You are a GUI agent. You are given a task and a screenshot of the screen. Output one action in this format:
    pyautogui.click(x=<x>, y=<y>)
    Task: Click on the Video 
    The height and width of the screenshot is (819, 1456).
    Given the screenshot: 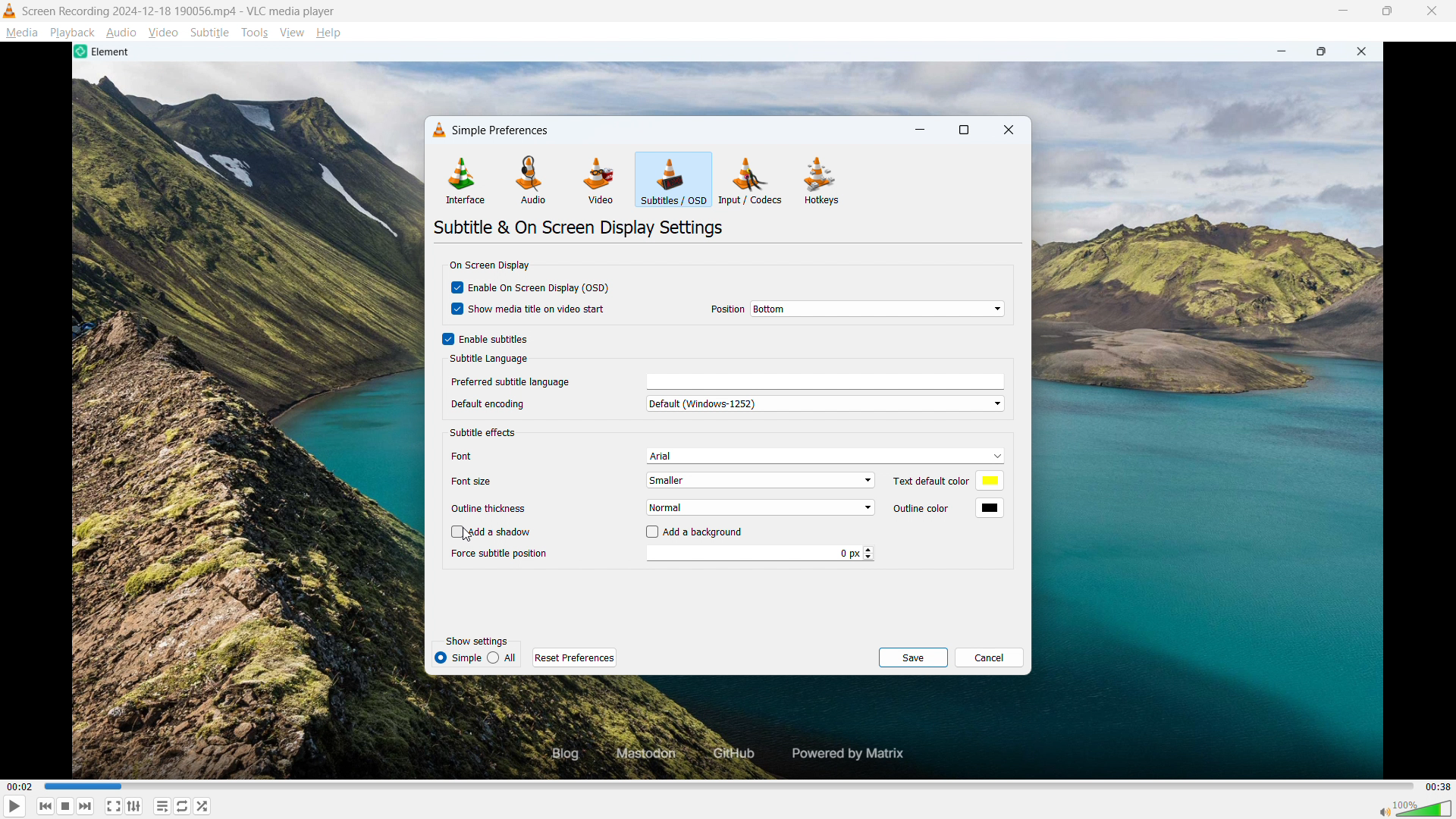 What is the action you would take?
    pyautogui.click(x=164, y=33)
    